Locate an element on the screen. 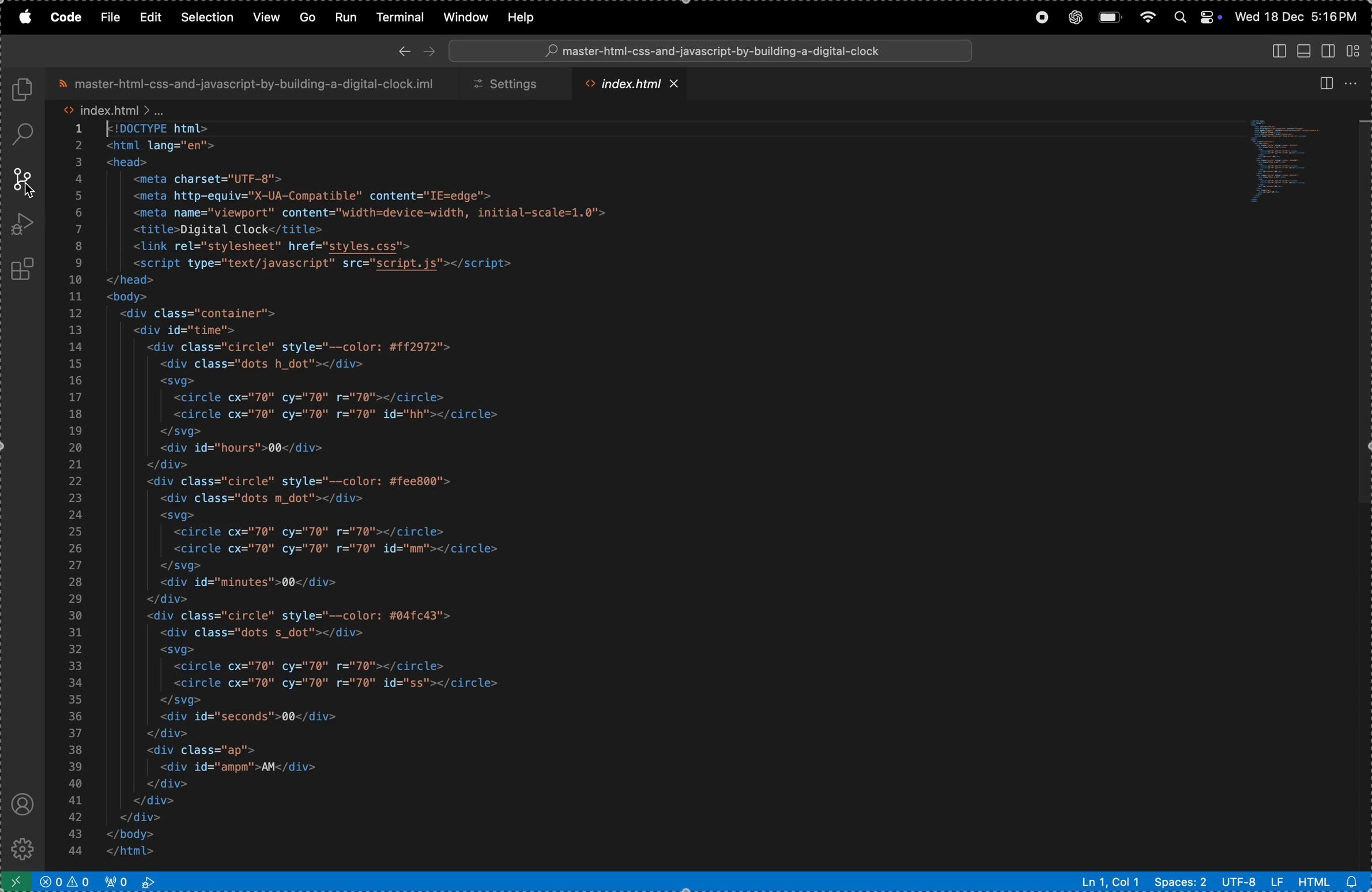  extensions is located at coordinates (27, 266).